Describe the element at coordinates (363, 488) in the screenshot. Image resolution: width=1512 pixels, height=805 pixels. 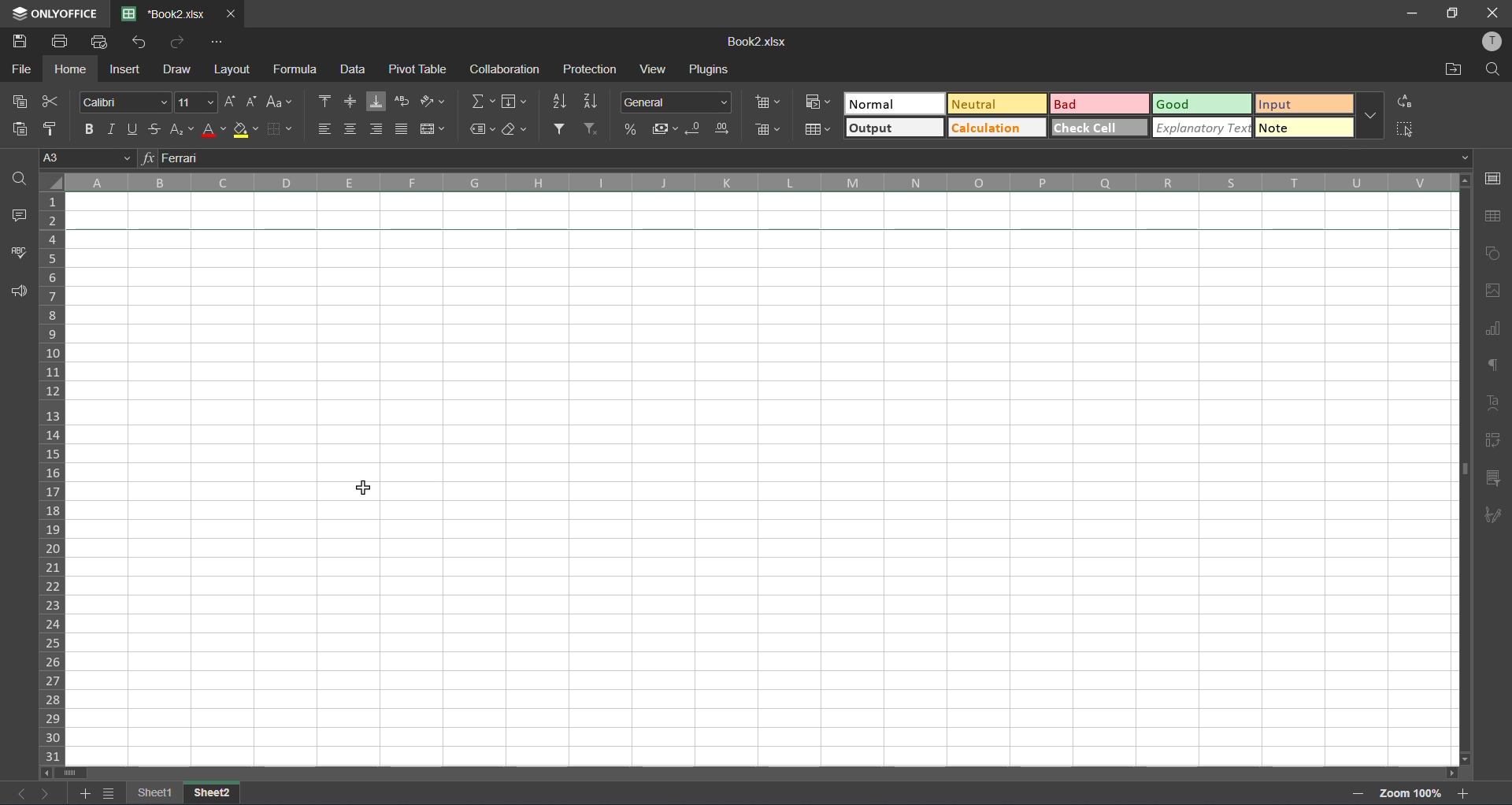
I see `Cell Cursor ` at that location.